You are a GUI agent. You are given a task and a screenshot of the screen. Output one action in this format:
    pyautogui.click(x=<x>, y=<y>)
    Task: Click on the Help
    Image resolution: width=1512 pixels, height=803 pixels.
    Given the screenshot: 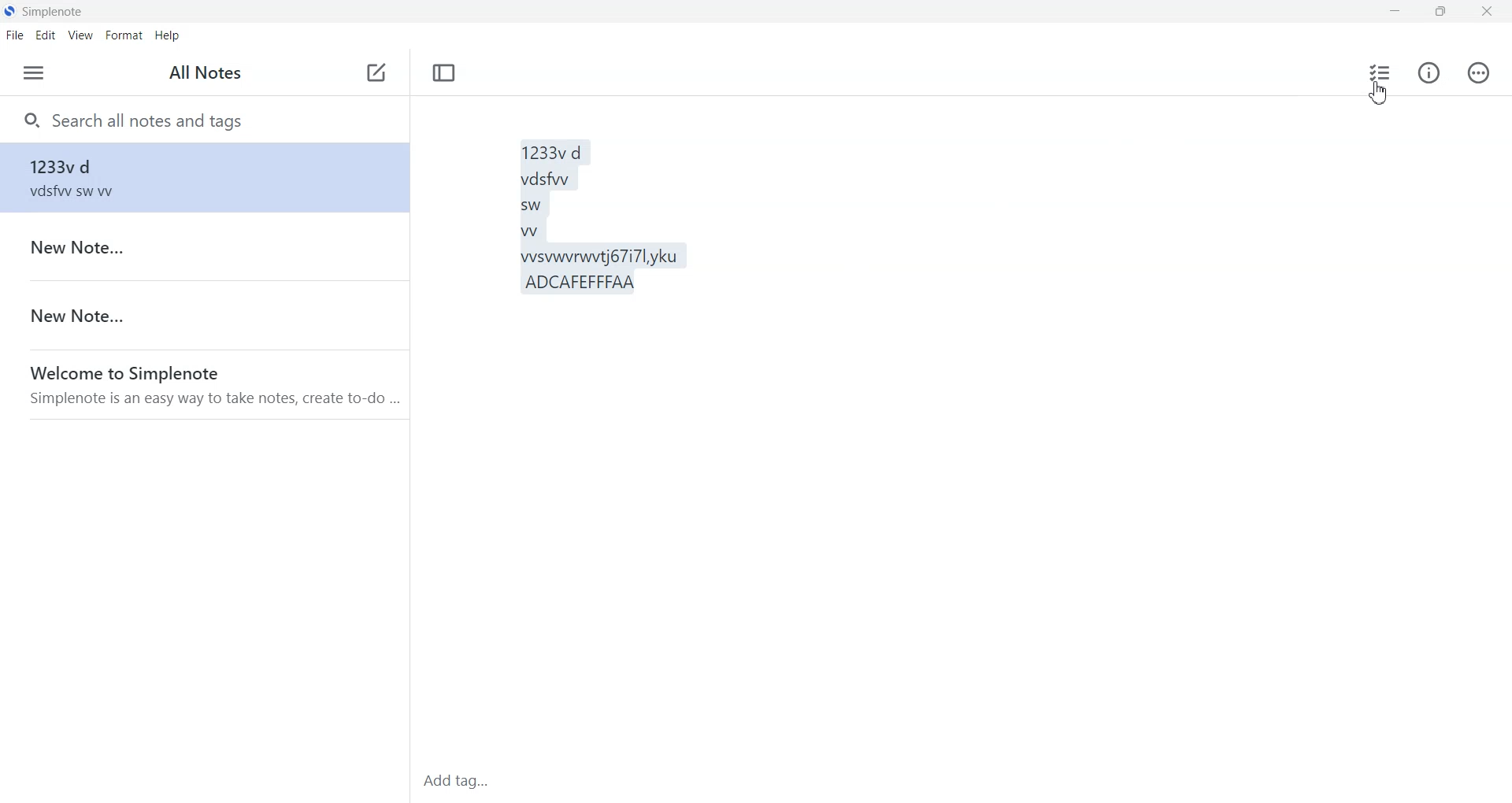 What is the action you would take?
    pyautogui.click(x=167, y=35)
    